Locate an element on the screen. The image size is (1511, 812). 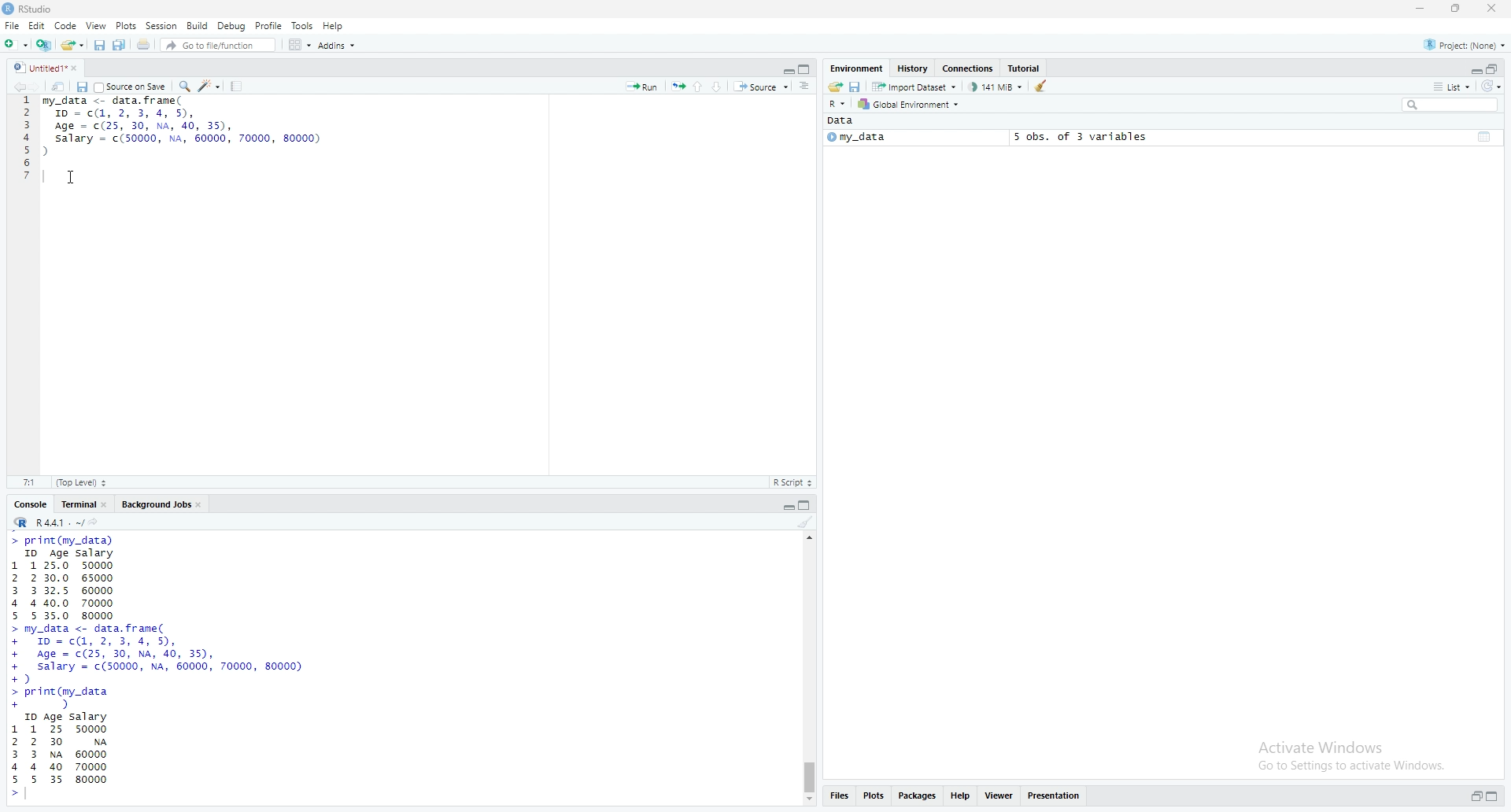
data frame code is located at coordinates (183, 128).